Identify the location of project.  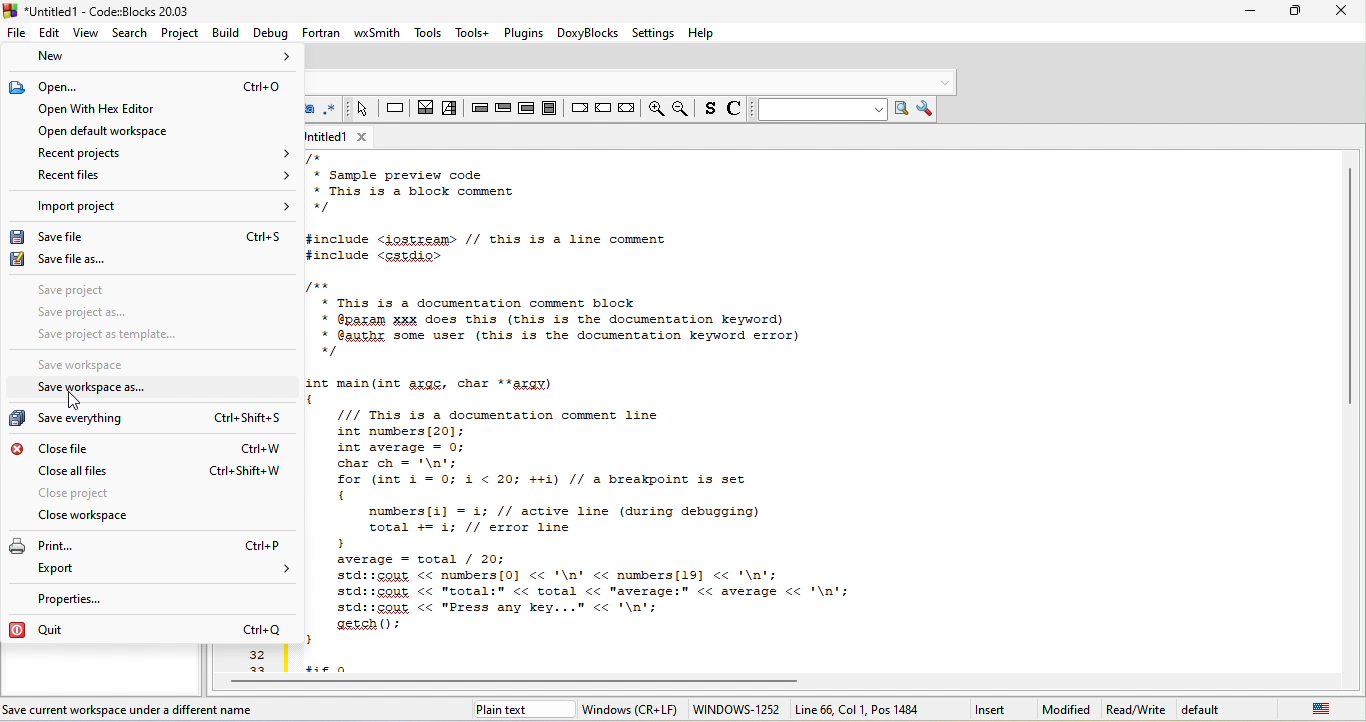
(182, 34).